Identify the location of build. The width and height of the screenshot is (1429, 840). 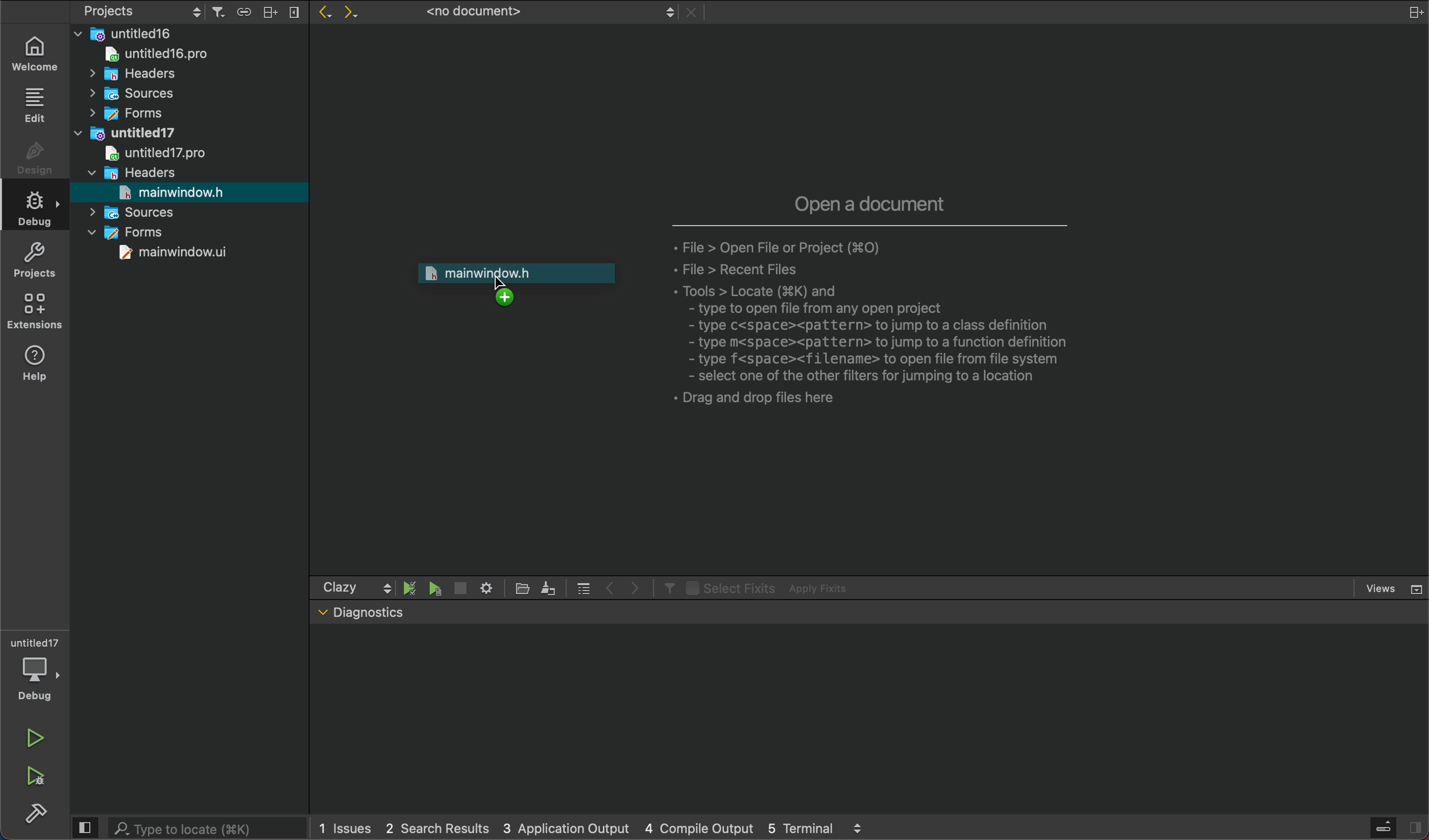
(36, 816).